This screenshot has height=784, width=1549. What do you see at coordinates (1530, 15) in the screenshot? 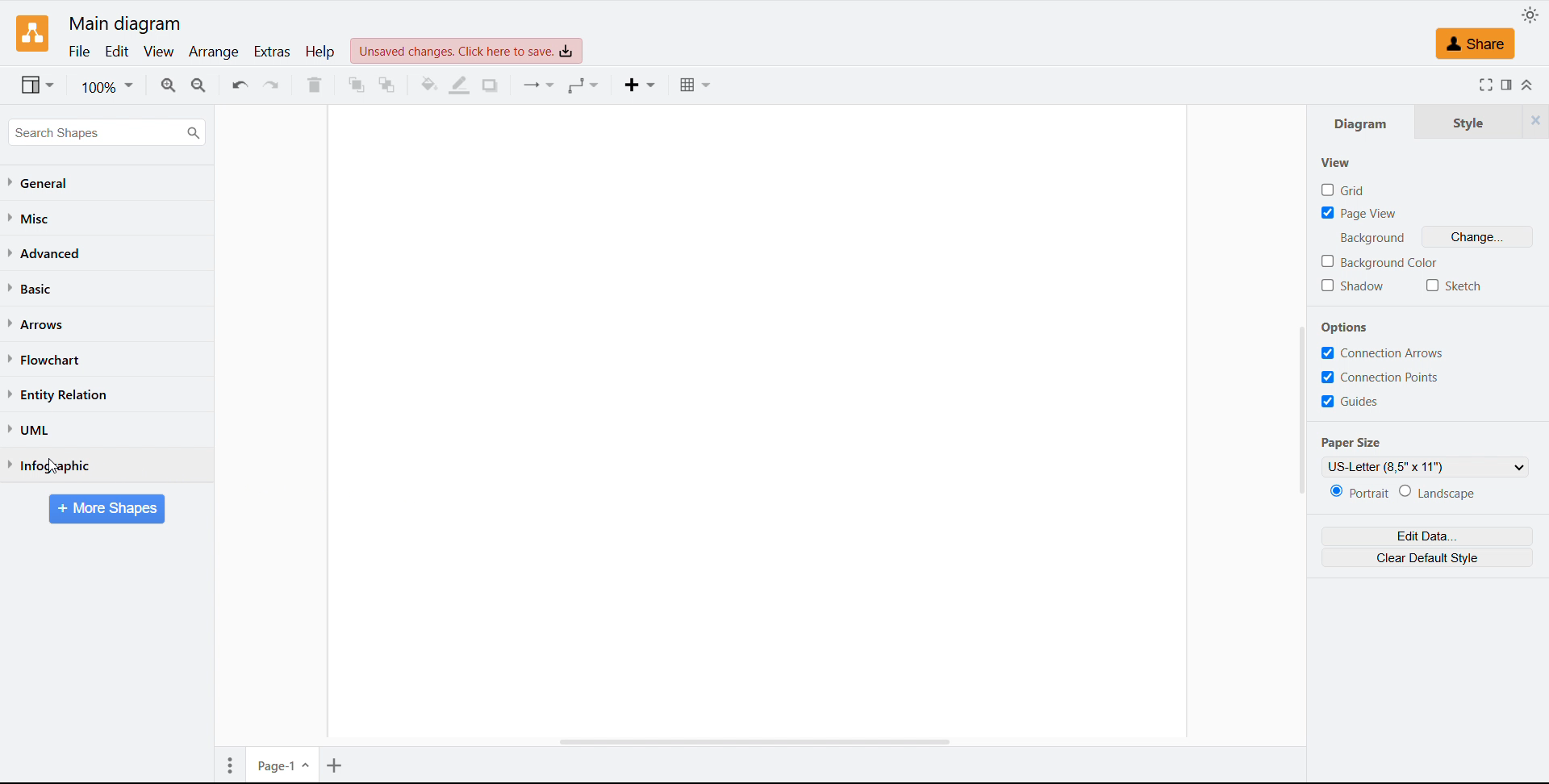
I see `Toggle theme ` at bounding box center [1530, 15].